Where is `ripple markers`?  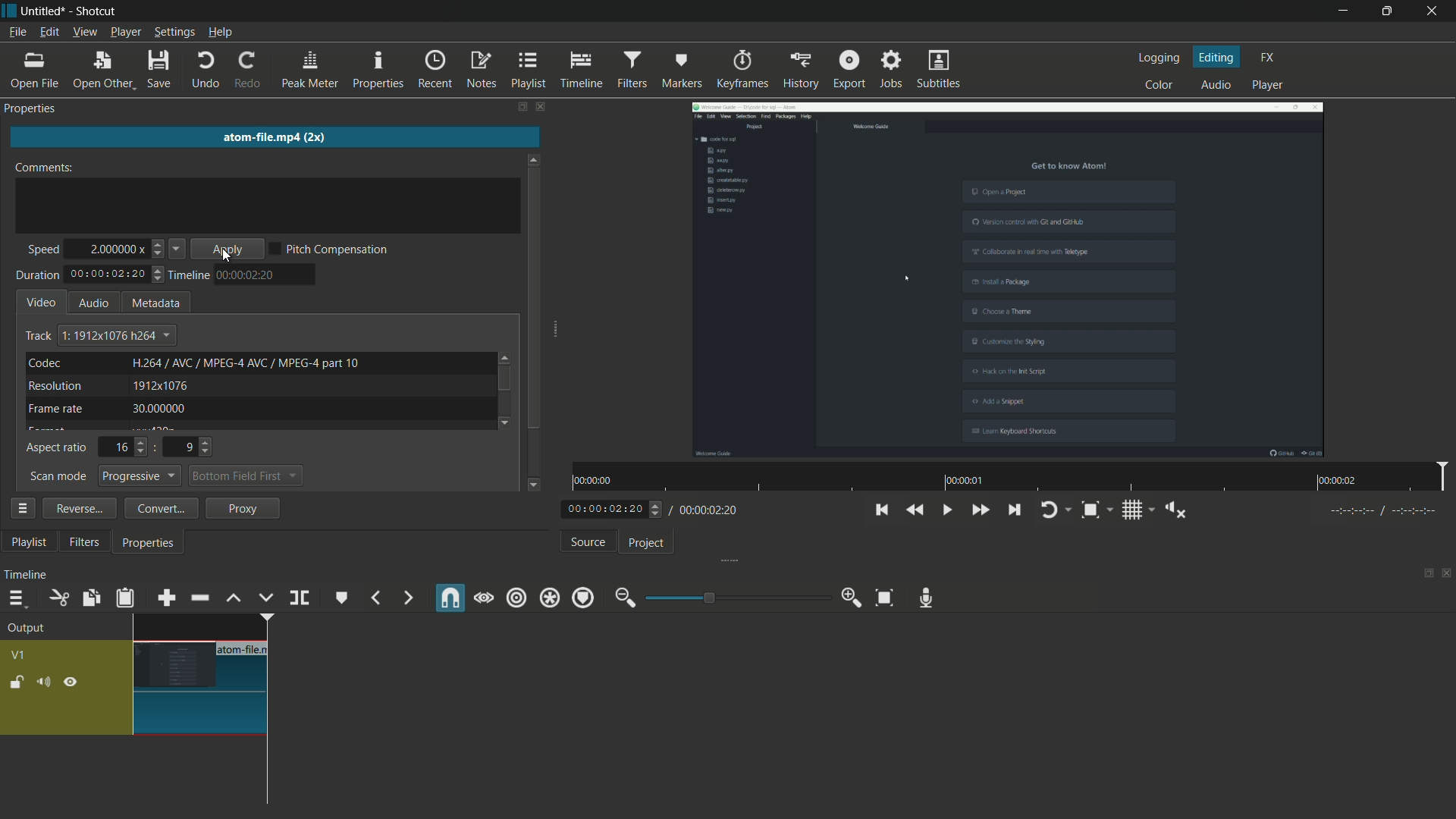 ripple markers is located at coordinates (585, 598).